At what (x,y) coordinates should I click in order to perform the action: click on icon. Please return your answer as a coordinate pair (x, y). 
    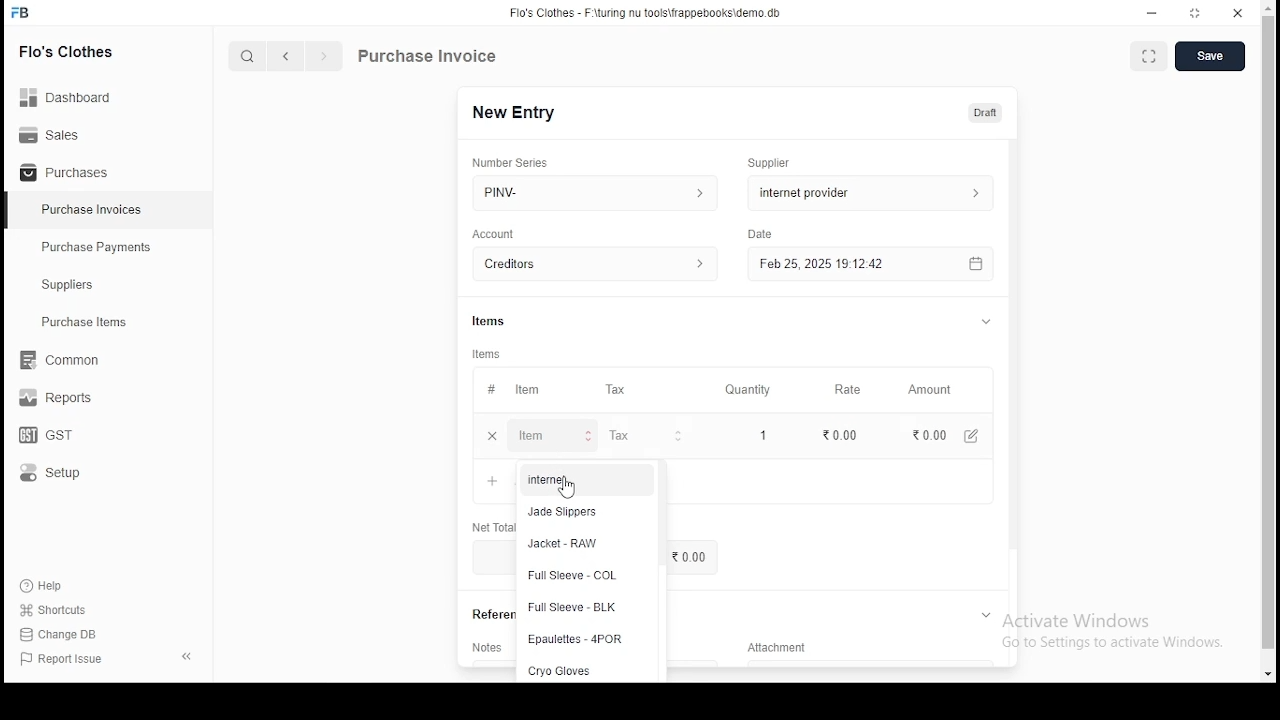
    Looking at the image, I should click on (21, 13).